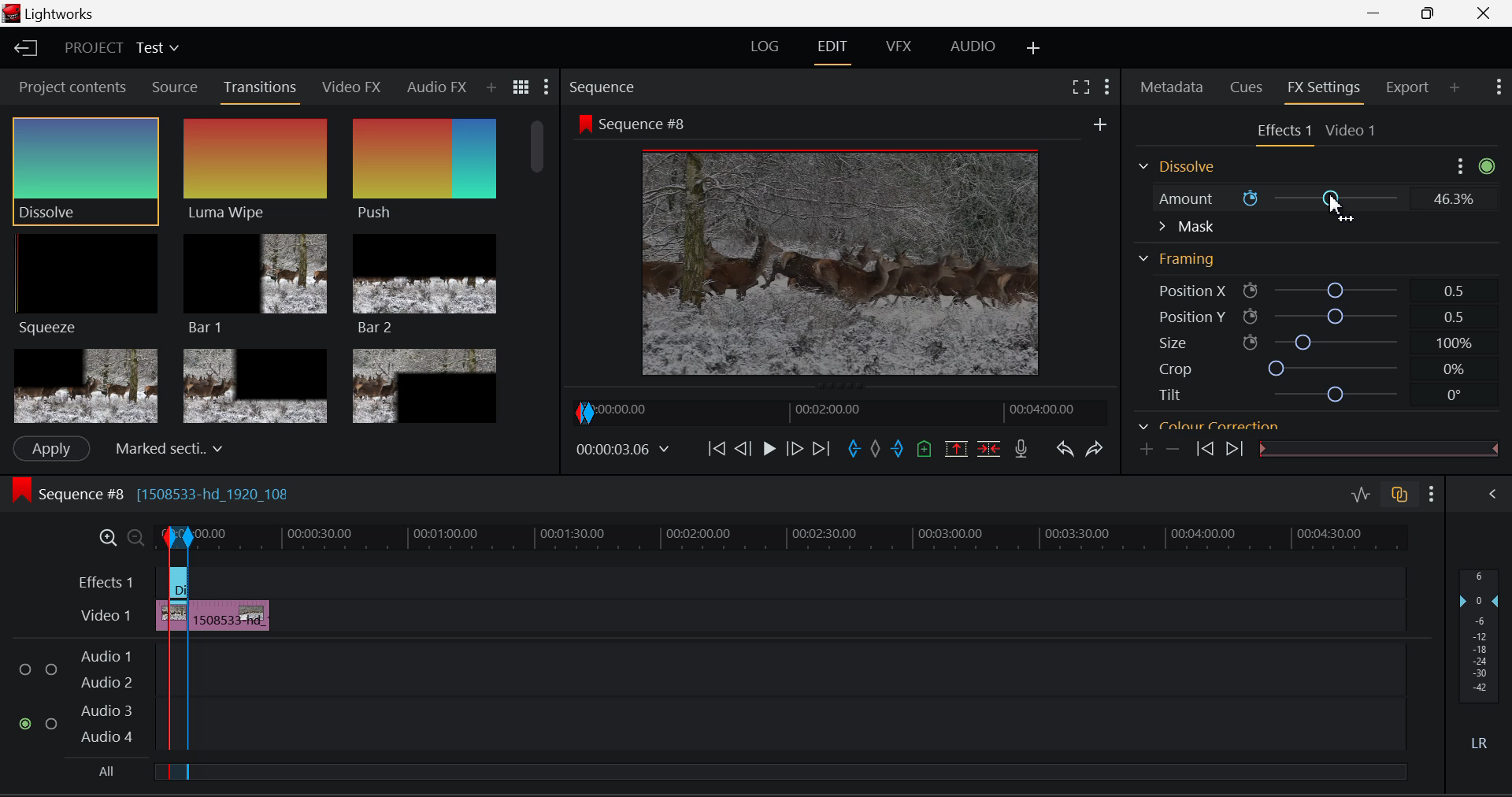 This screenshot has width=1512, height=797. Describe the element at coordinates (1098, 450) in the screenshot. I see `Redo` at that location.